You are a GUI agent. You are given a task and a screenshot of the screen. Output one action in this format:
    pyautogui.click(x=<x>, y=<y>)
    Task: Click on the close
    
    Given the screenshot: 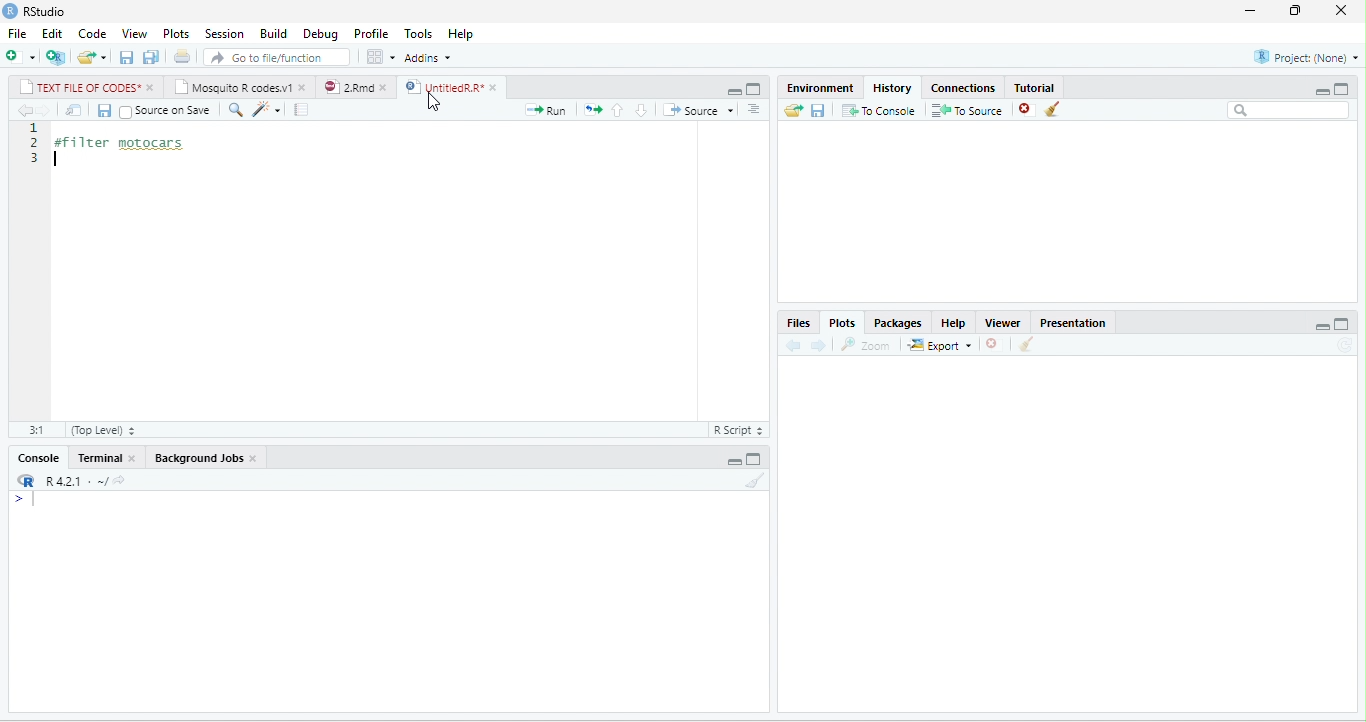 What is the action you would take?
    pyautogui.click(x=153, y=87)
    